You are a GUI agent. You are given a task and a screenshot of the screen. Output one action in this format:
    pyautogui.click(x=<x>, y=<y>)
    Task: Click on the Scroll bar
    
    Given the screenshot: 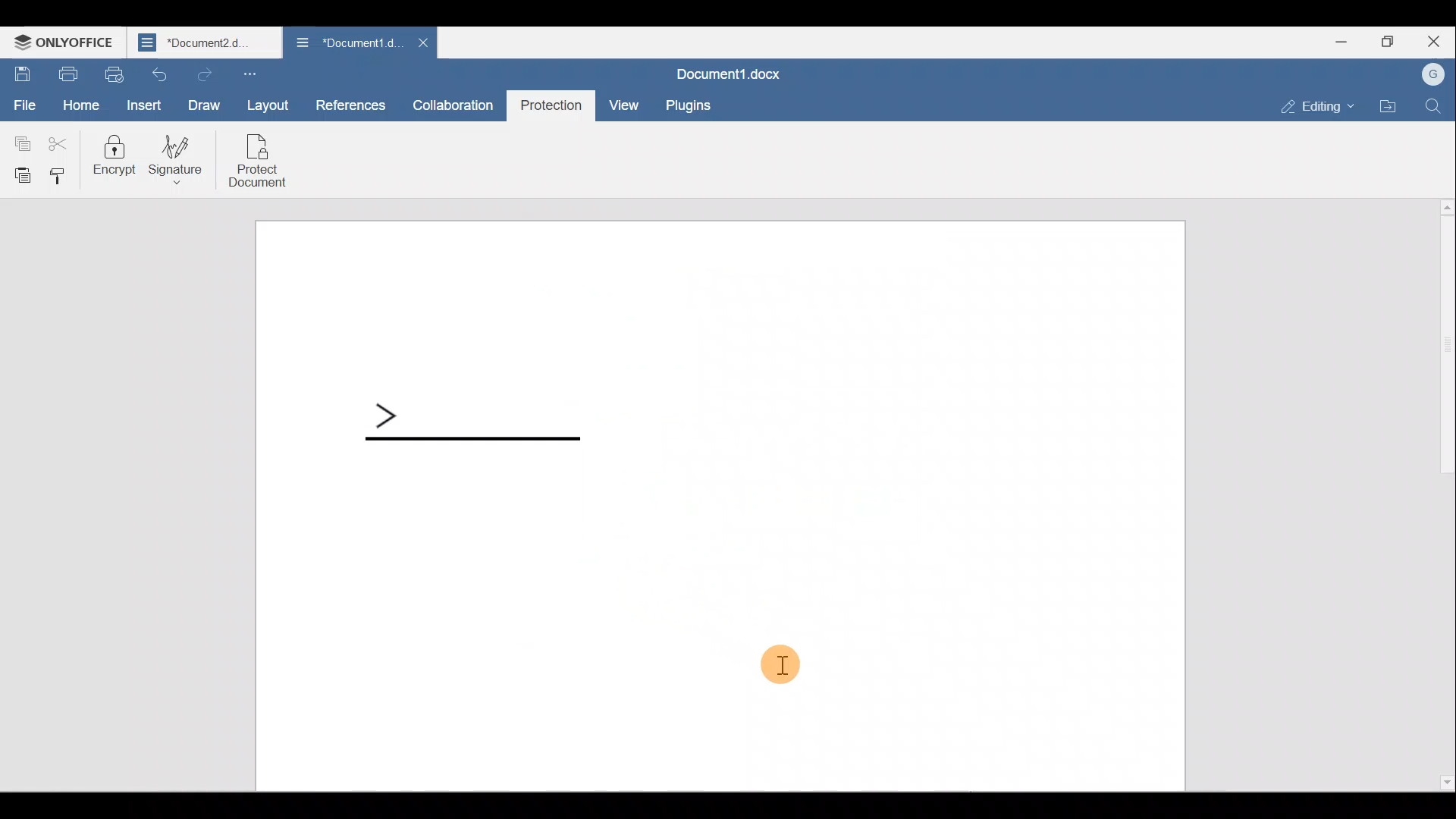 What is the action you would take?
    pyautogui.click(x=1439, y=495)
    